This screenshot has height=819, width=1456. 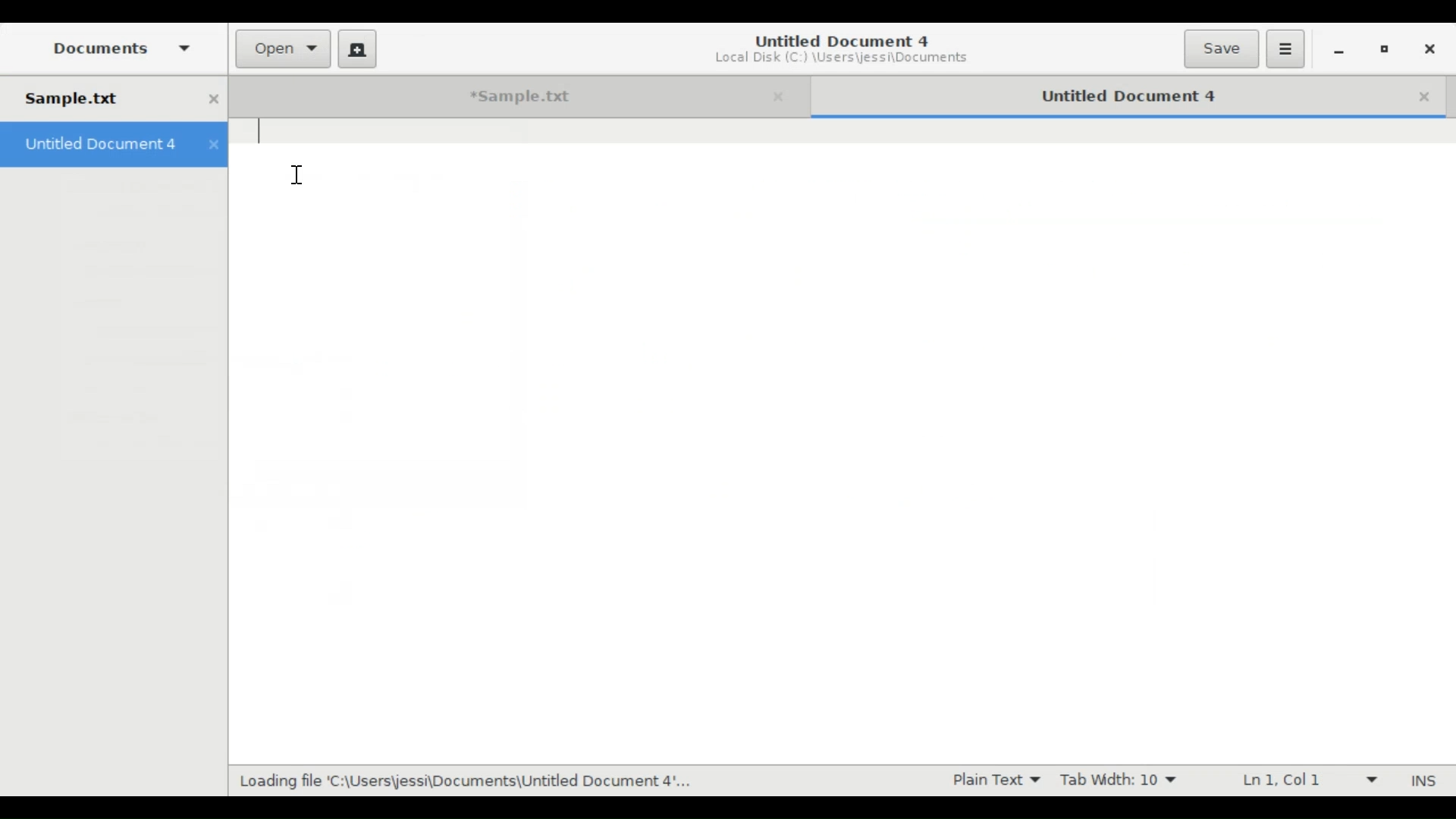 What do you see at coordinates (839, 39) in the screenshot?
I see `Untitled Document 4` at bounding box center [839, 39].